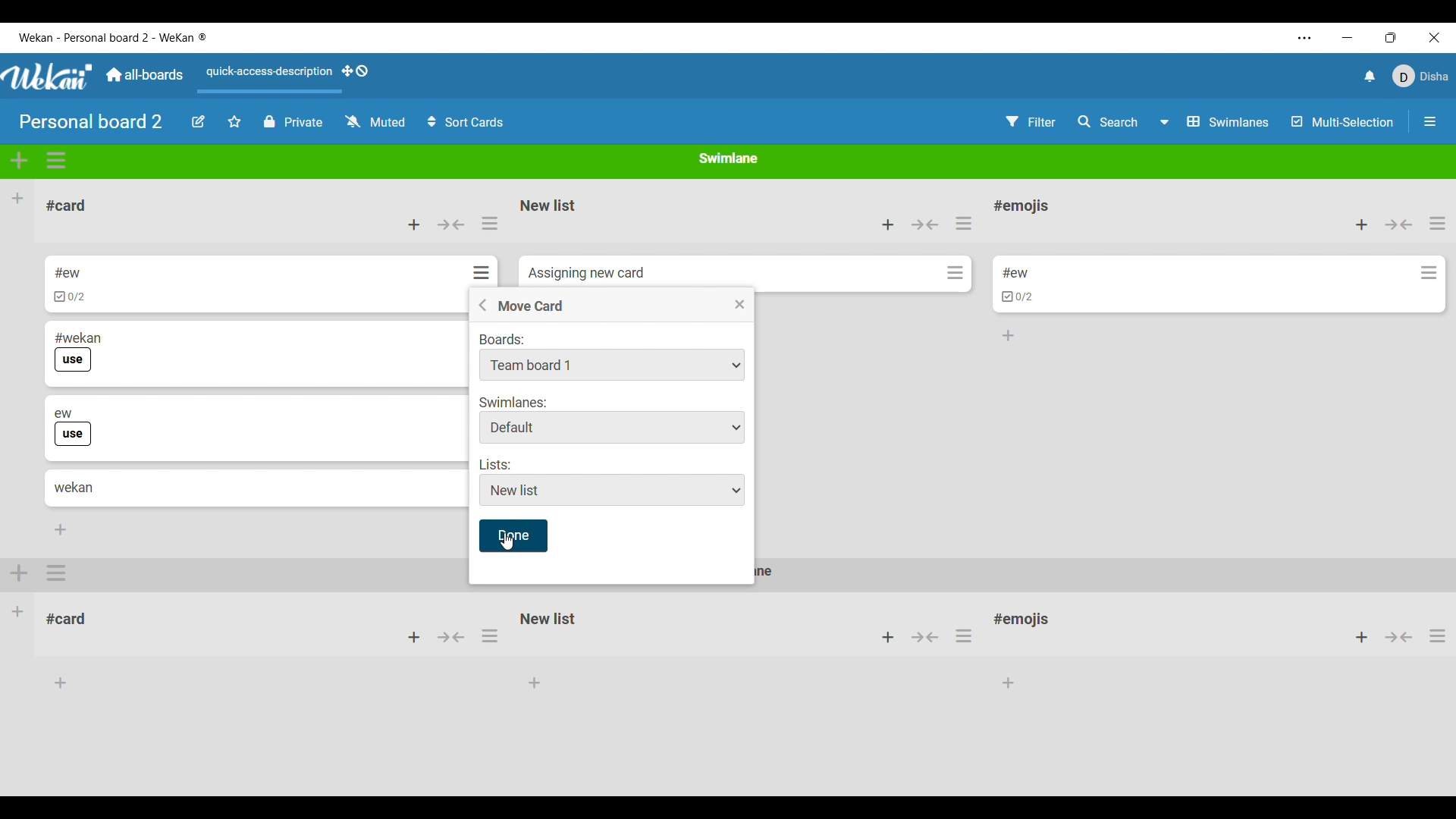 This screenshot has height=819, width=1456. Describe the element at coordinates (1027, 623) in the screenshot. I see `#emojis` at that location.